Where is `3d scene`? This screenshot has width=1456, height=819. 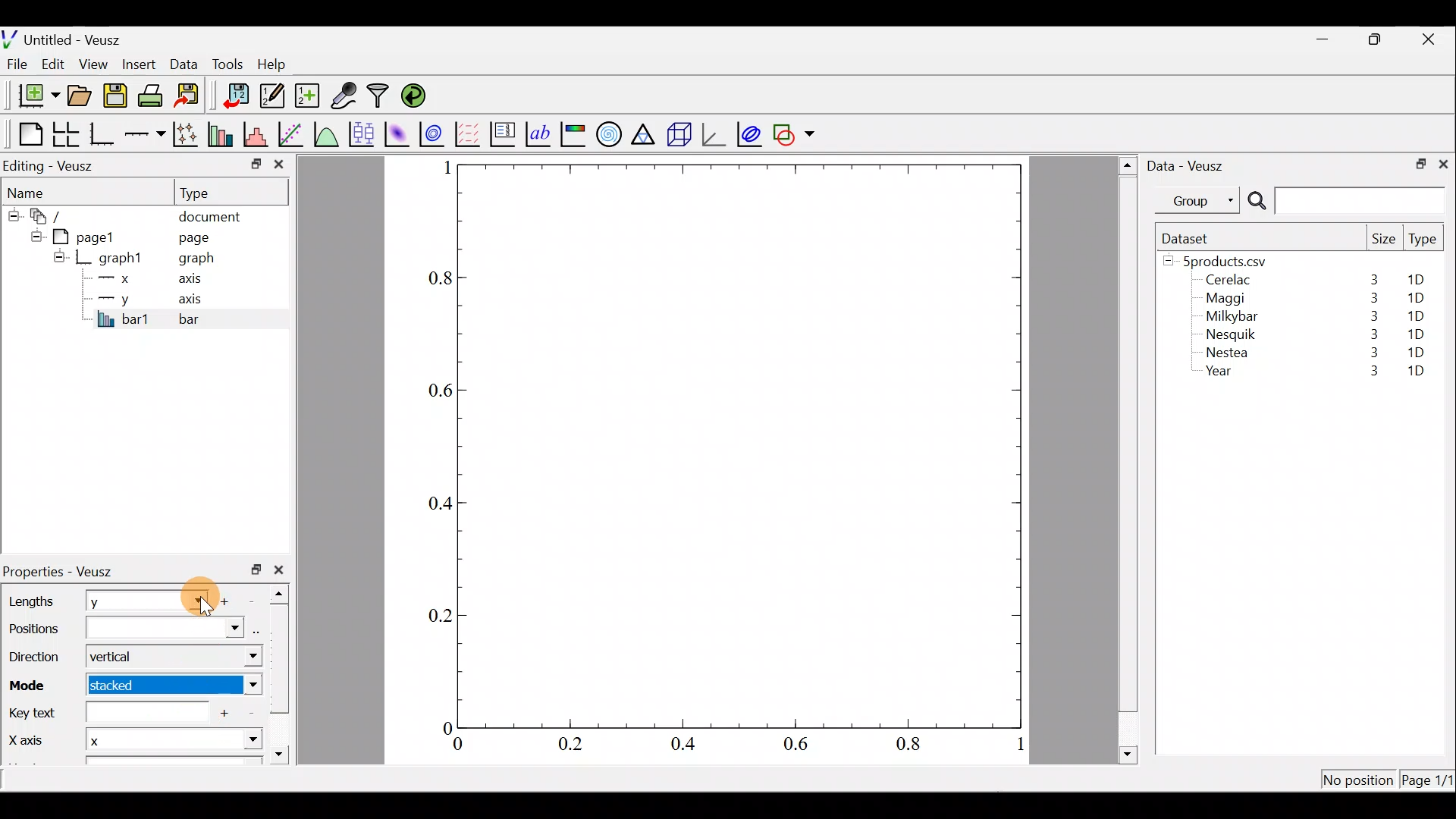
3d scene is located at coordinates (678, 134).